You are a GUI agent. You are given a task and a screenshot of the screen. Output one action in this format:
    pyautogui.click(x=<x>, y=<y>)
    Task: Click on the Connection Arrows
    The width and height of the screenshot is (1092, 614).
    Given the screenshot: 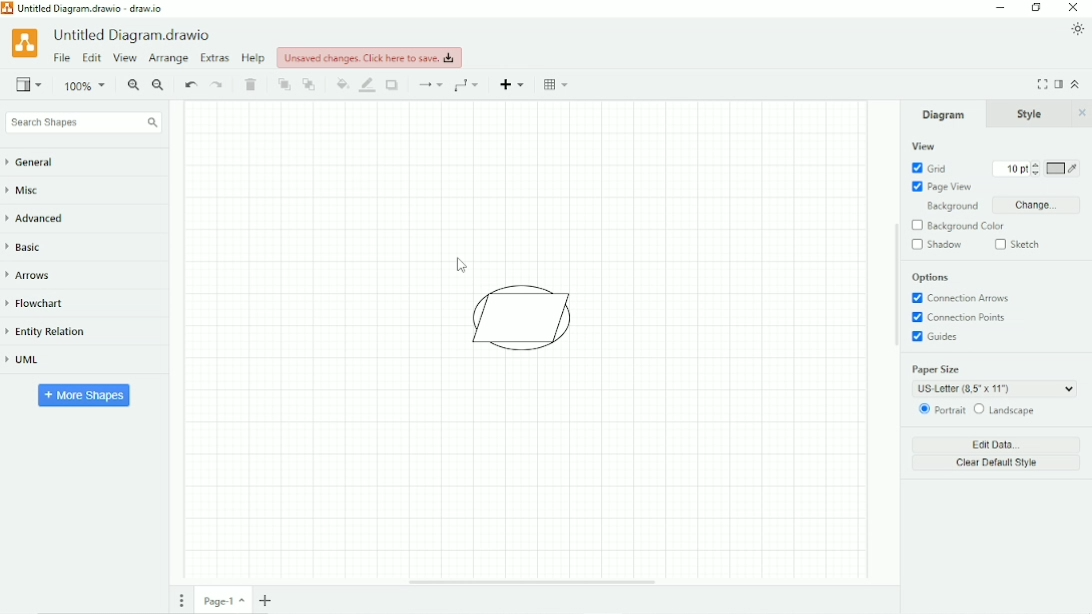 What is the action you would take?
    pyautogui.click(x=962, y=298)
    